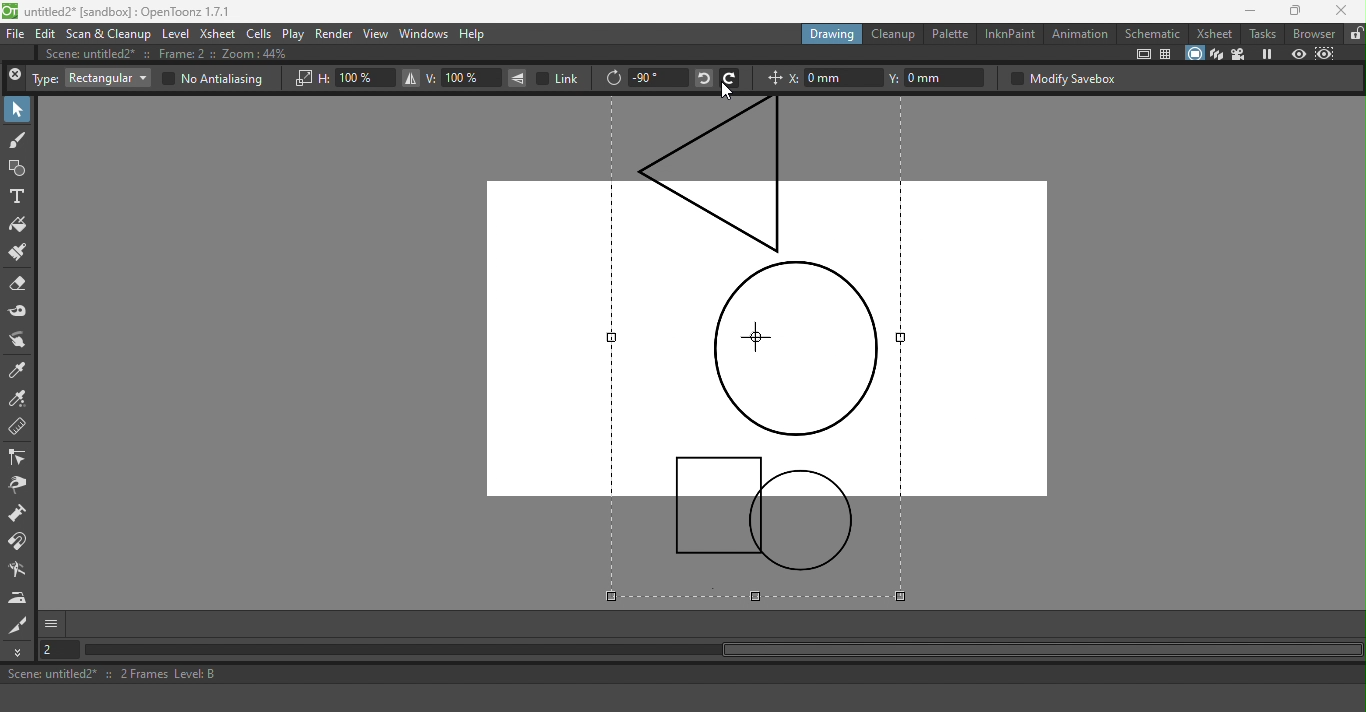 This screenshot has height=712, width=1366. I want to click on Finger tool, so click(21, 340).